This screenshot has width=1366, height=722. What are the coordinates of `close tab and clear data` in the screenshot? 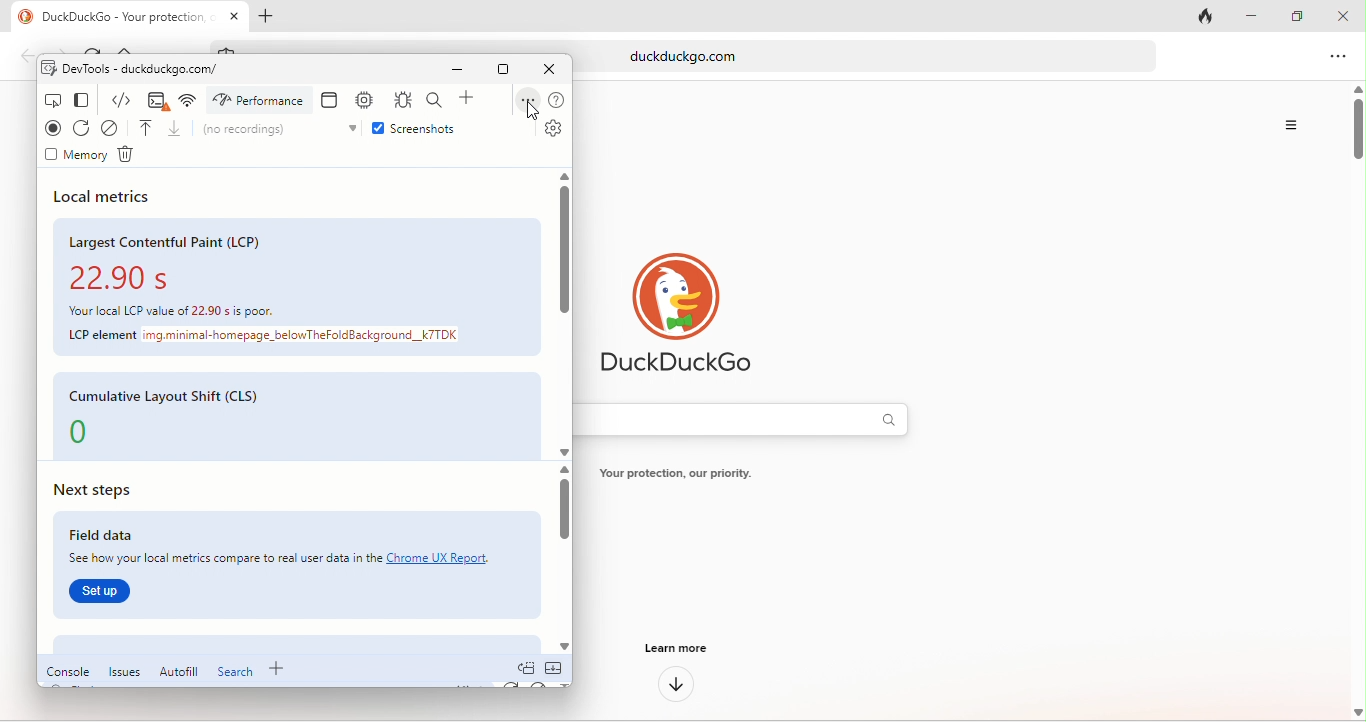 It's located at (1207, 15).